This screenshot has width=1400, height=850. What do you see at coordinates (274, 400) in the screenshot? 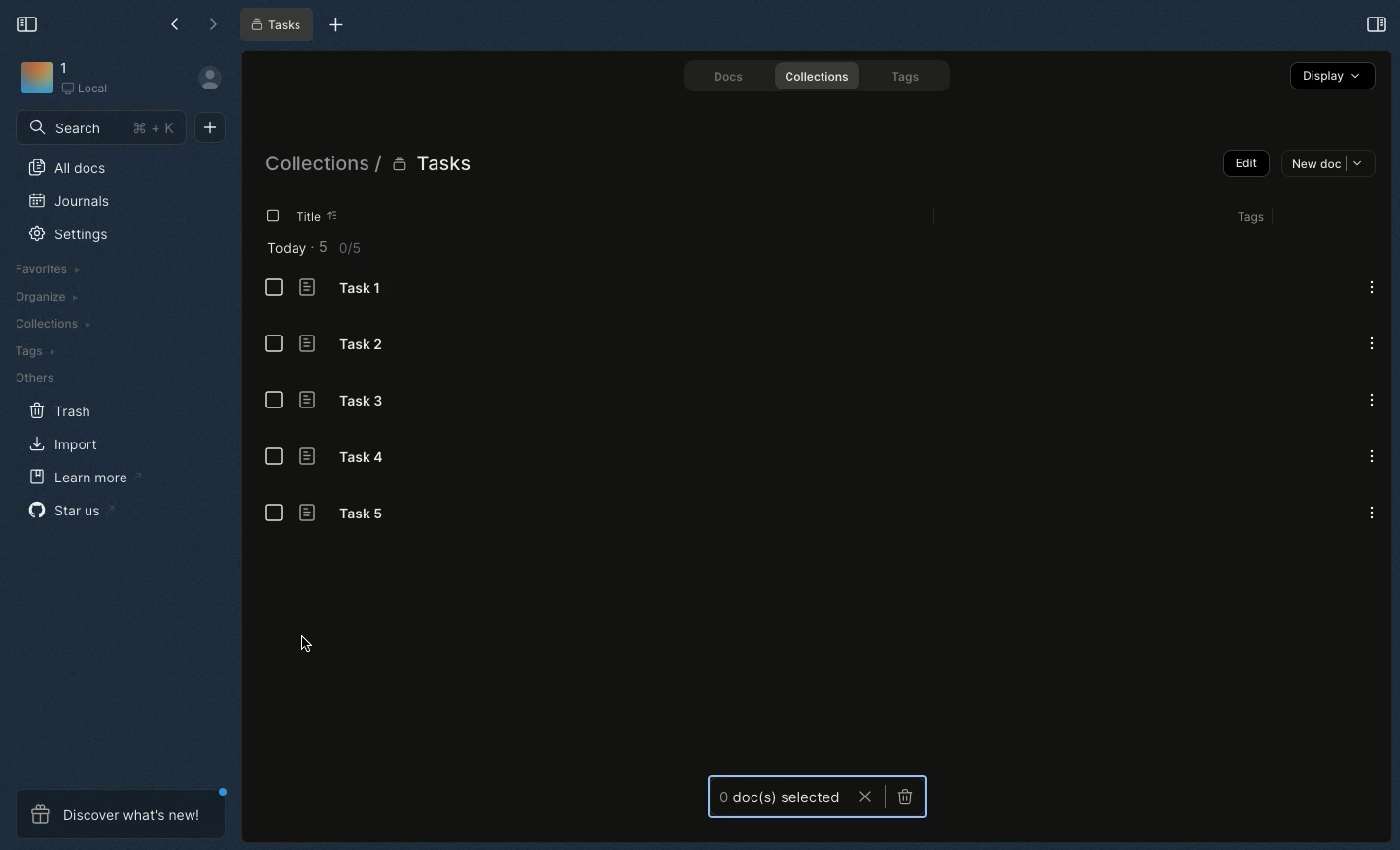
I see `List view` at bounding box center [274, 400].